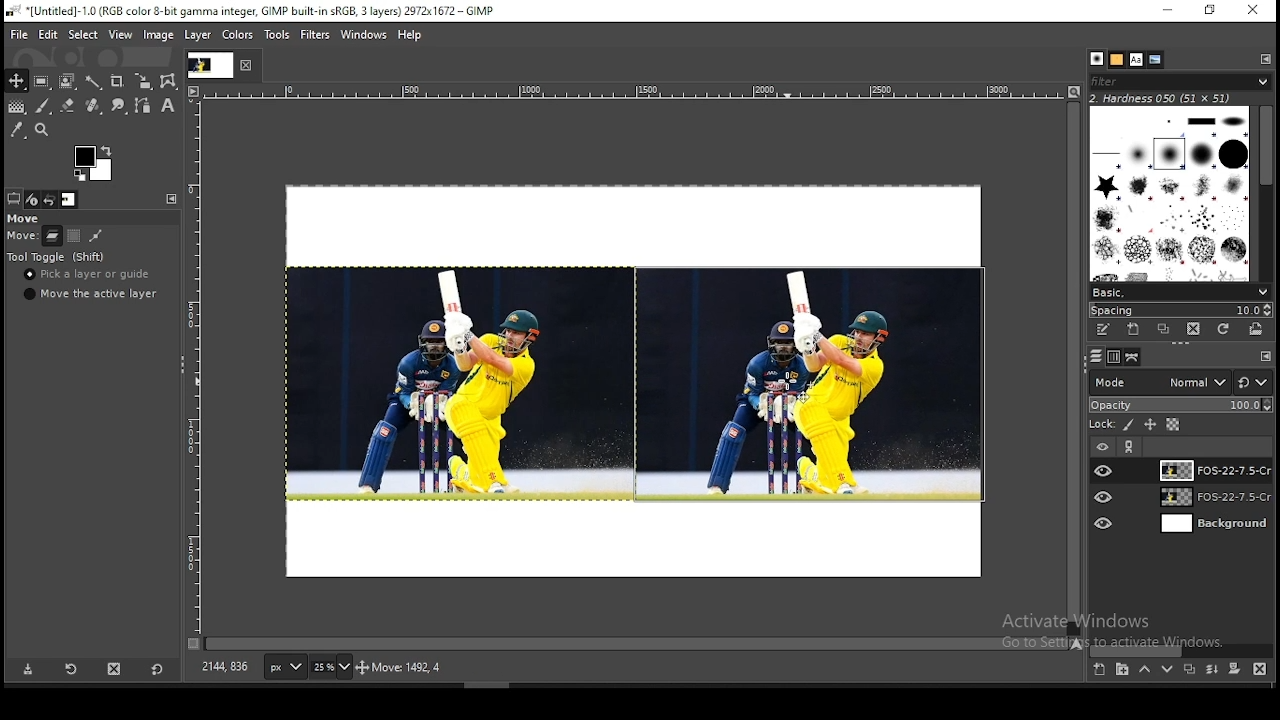  What do you see at coordinates (16, 81) in the screenshot?
I see `move tool` at bounding box center [16, 81].